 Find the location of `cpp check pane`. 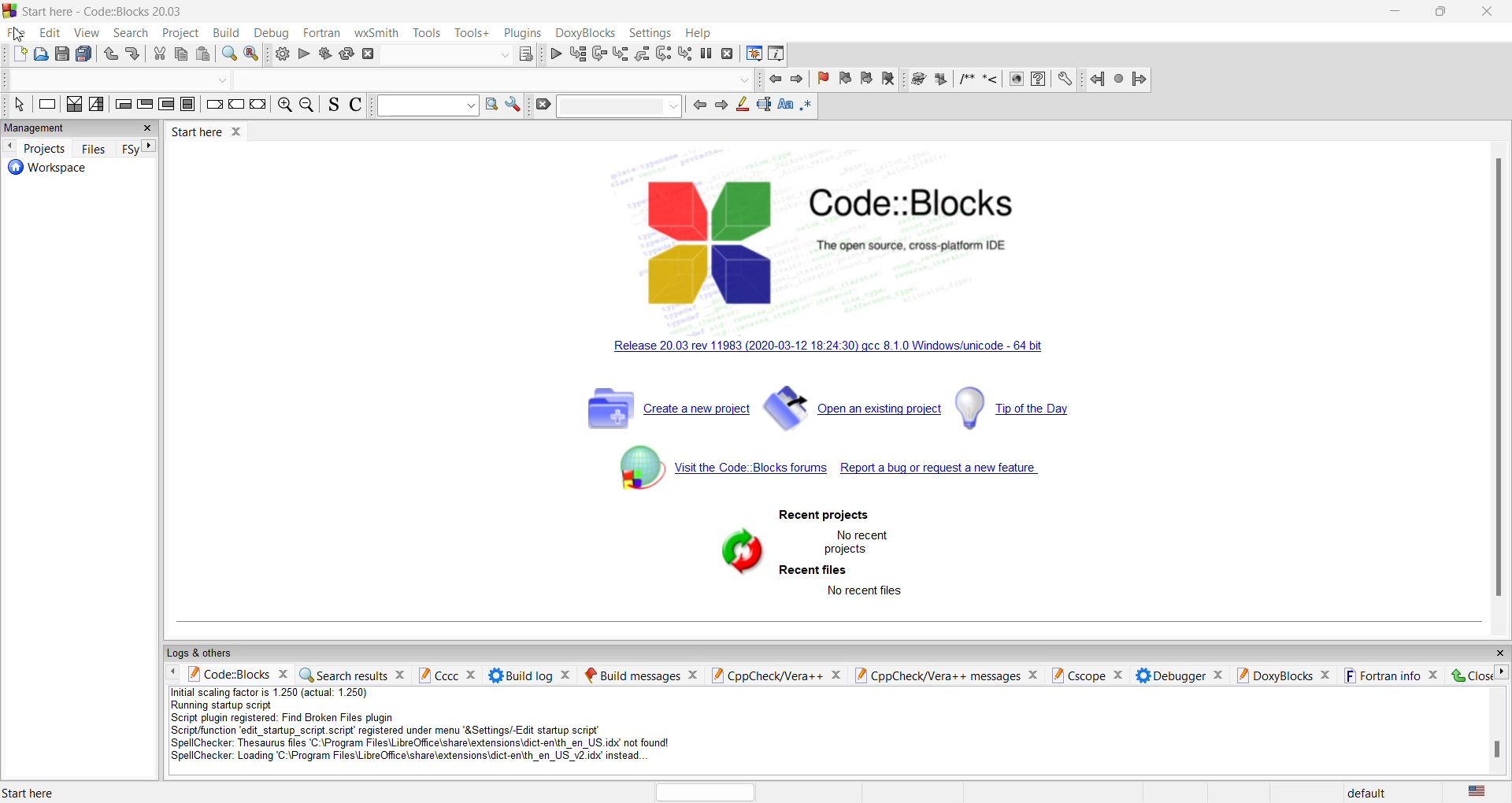

cpp check pane is located at coordinates (774, 673).